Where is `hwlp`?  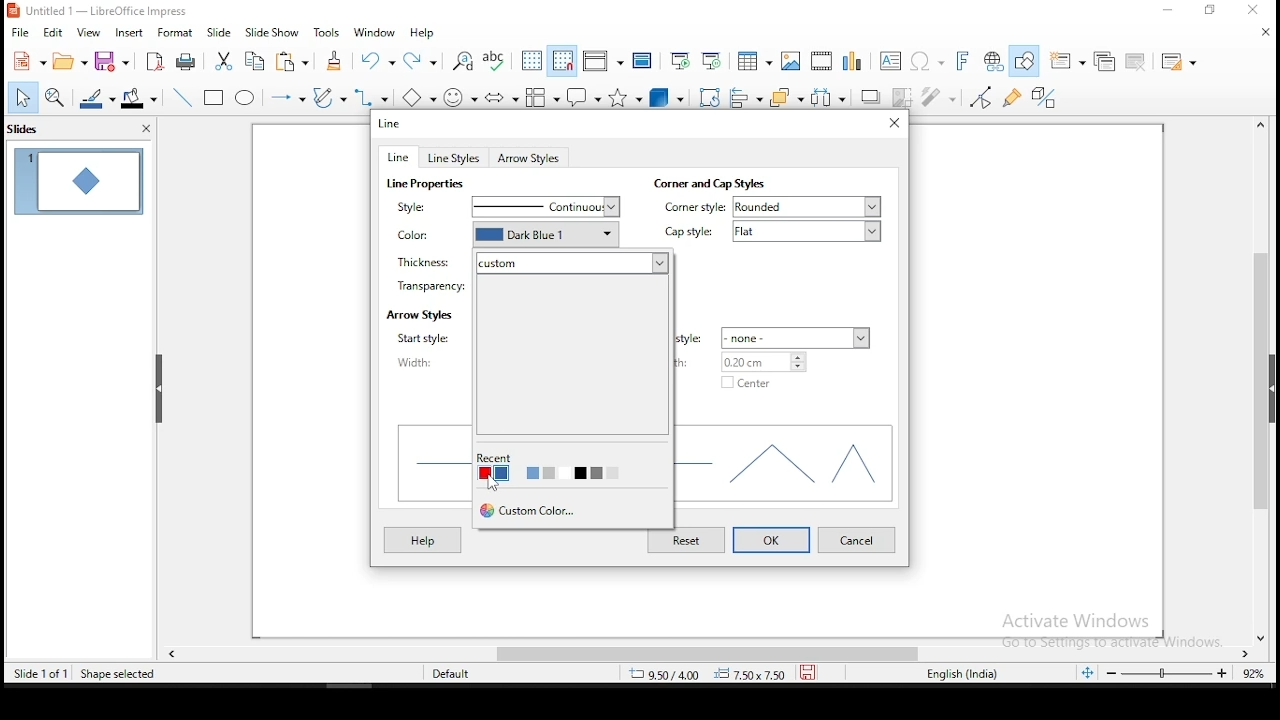 hwlp is located at coordinates (423, 540).